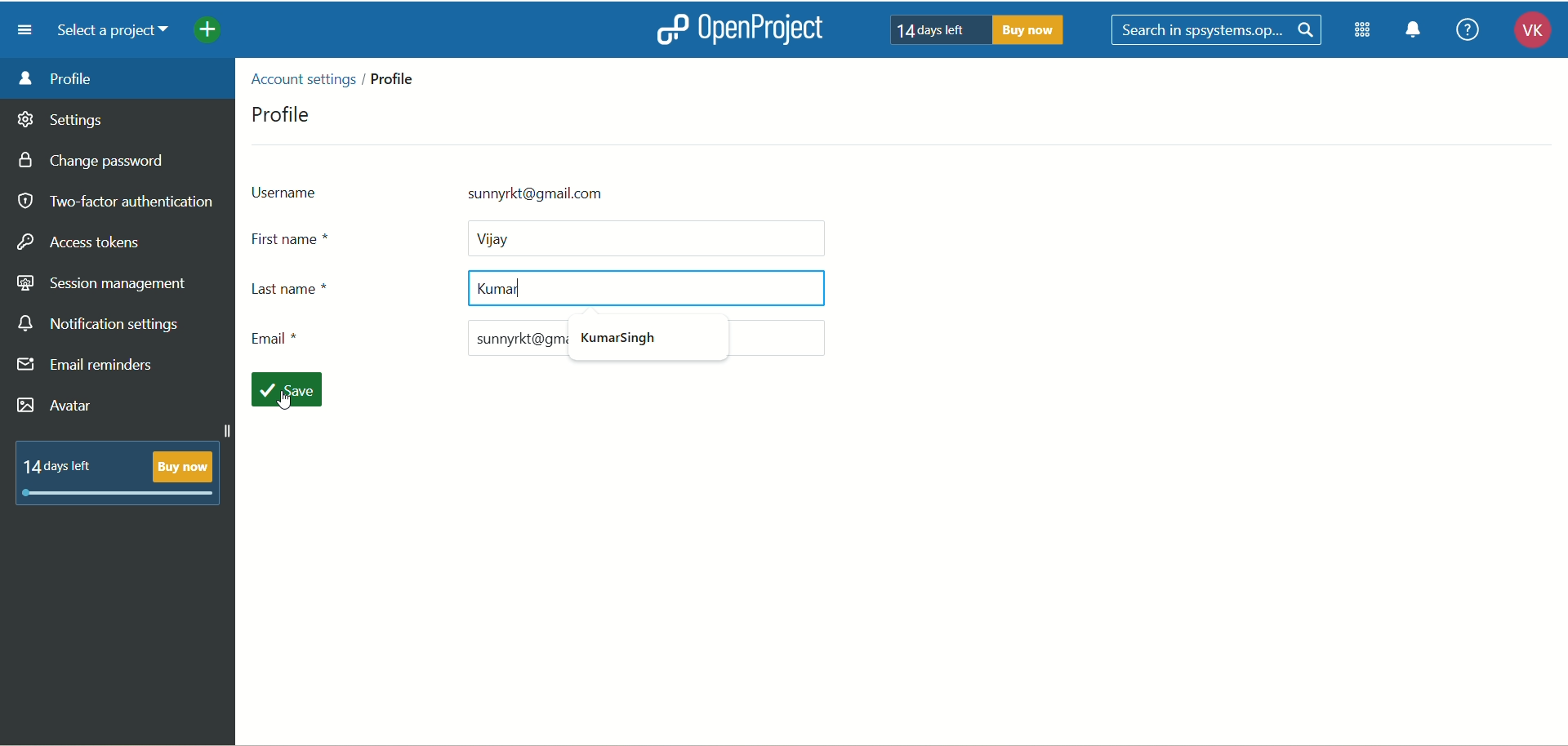  What do you see at coordinates (770, 31) in the screenshot?
I see `openproject` at bounding box center [770, 31].